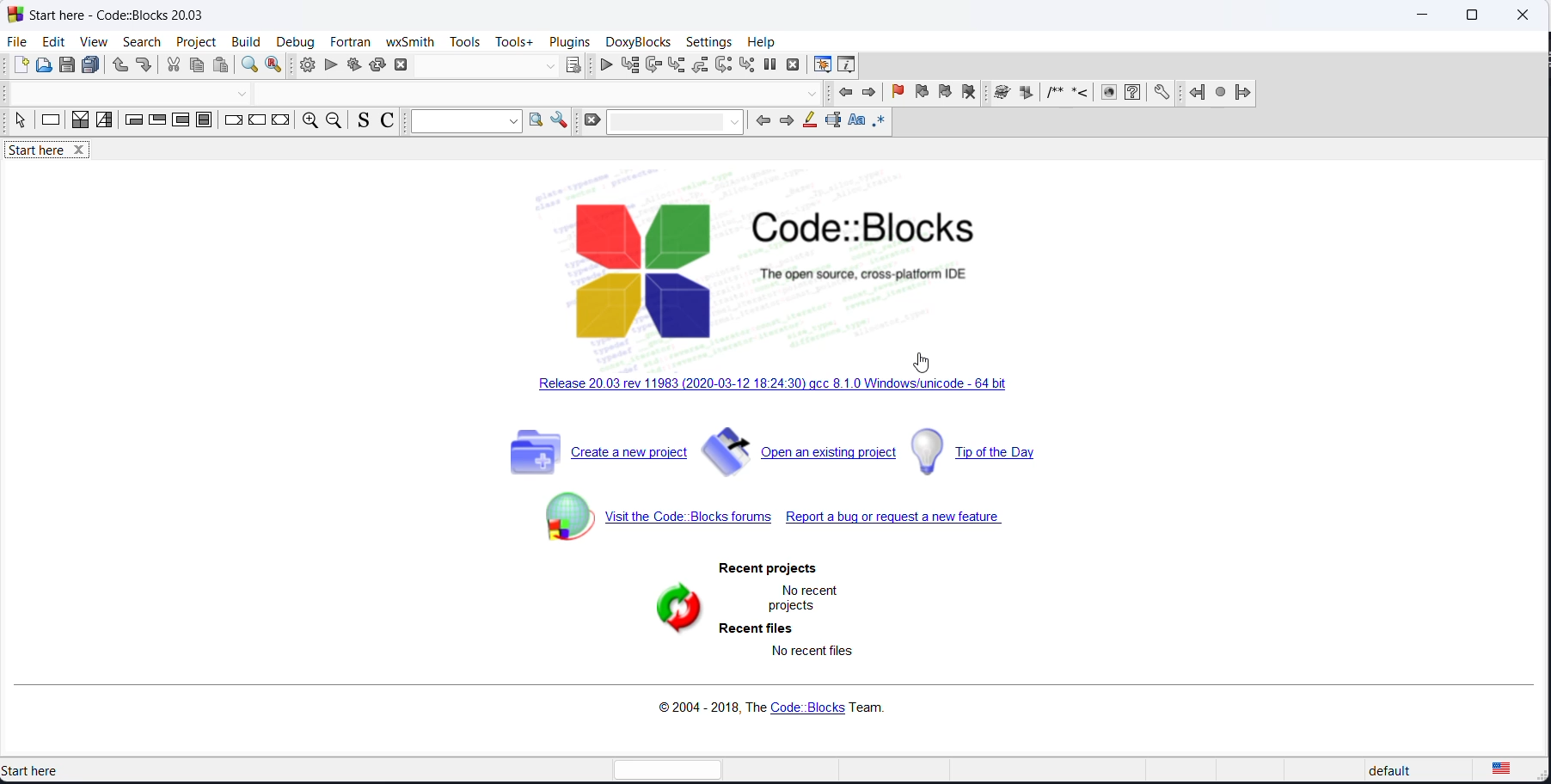  I want to click on jump next, so click(1220, 93).